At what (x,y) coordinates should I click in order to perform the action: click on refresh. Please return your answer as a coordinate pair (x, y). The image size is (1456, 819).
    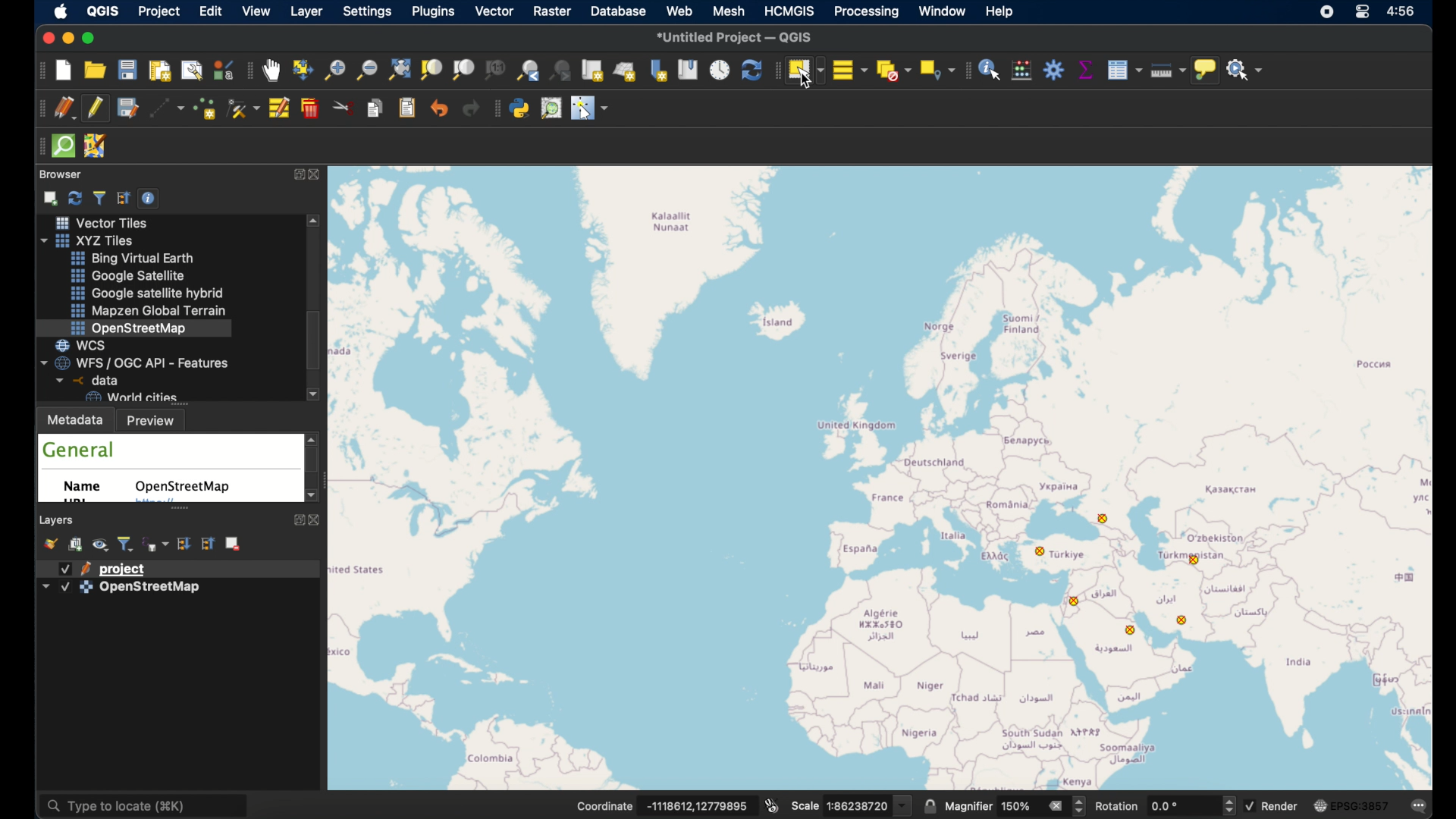
    Looking at the image, I should click on (750, 70).